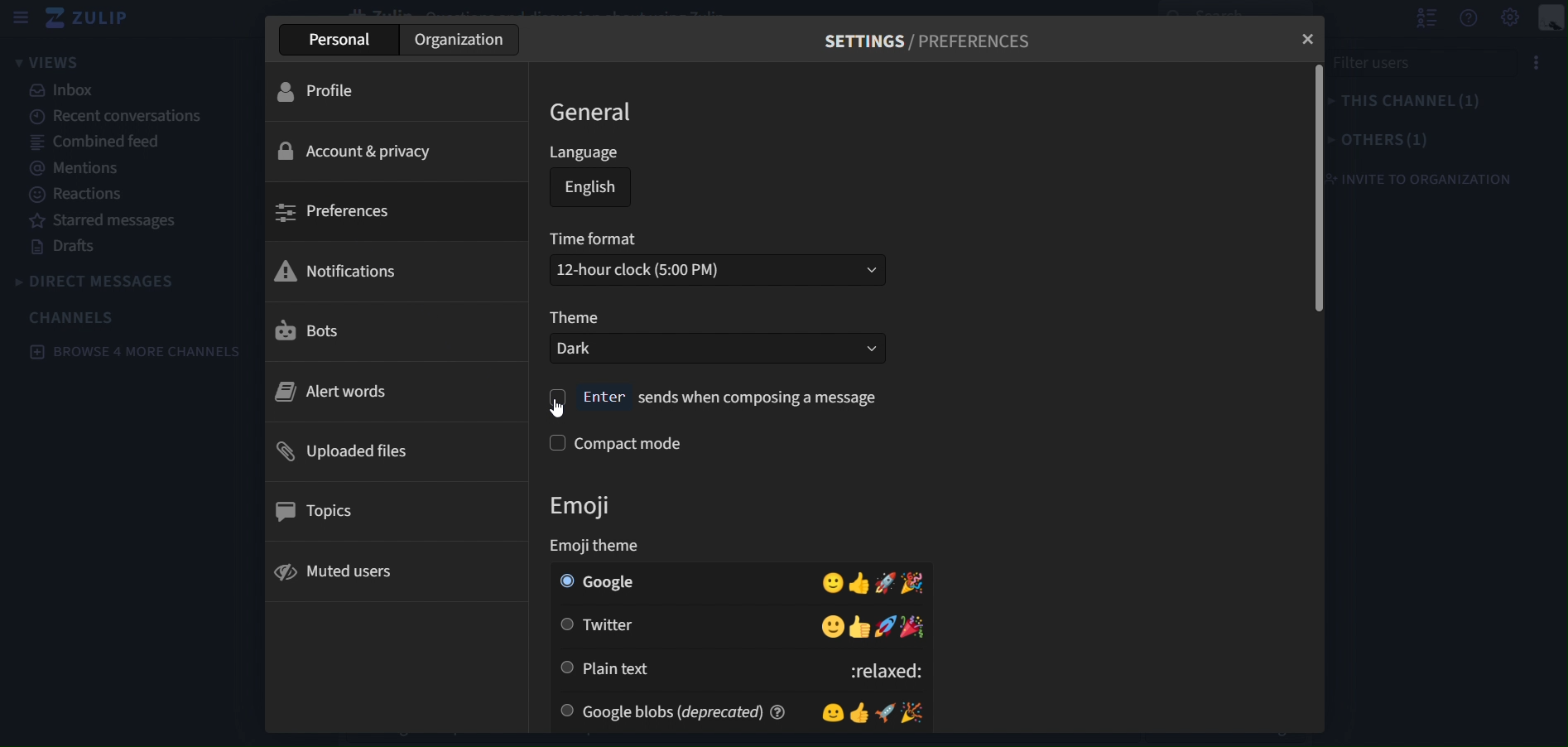  What do you see at coordinates (1315, 191) in the screenshot?
I see `vertical Scrollbar` at bounding box center [1315, 191].